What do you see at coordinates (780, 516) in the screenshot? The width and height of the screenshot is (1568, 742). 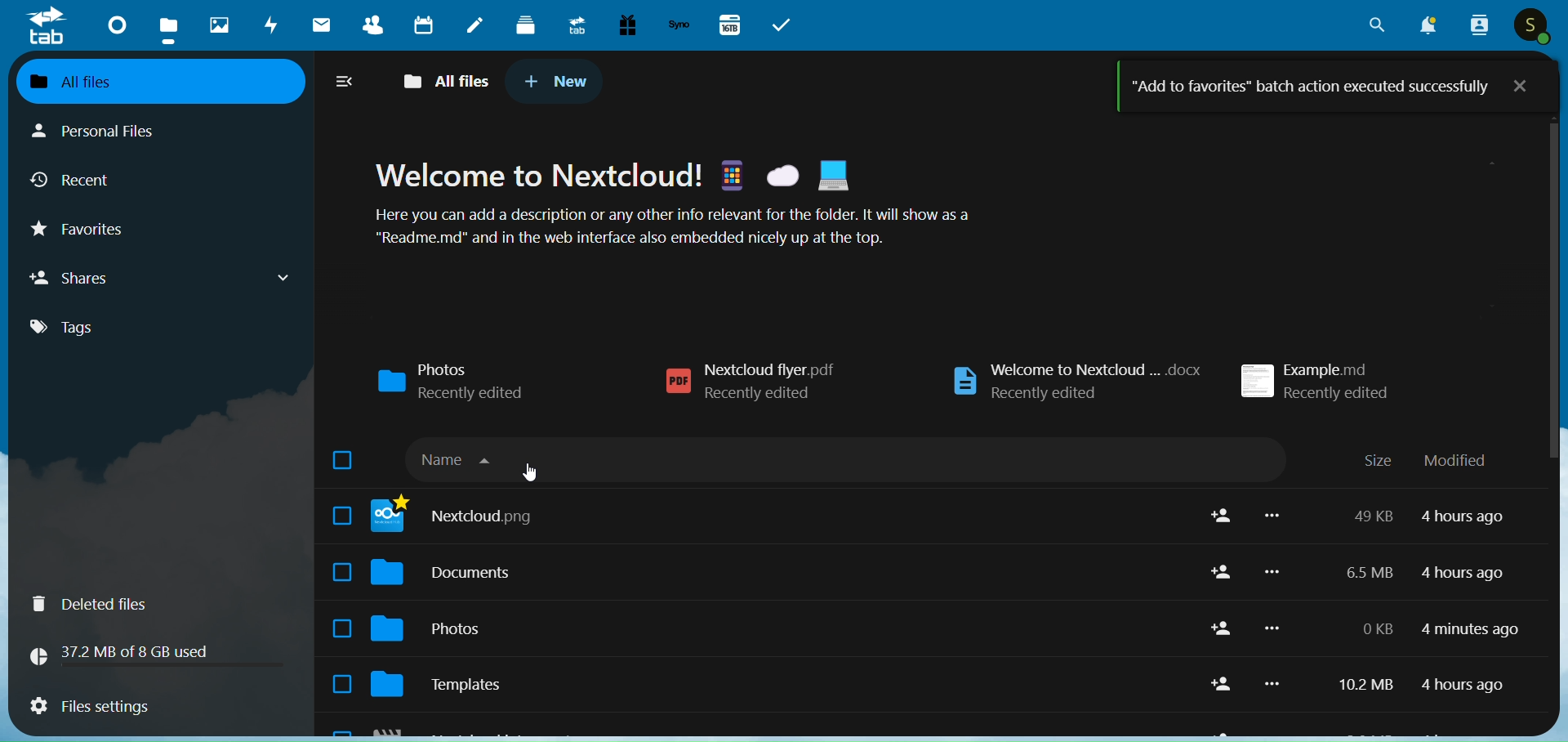 I see `Nextcloud.png` at bounding box center [780, 516].